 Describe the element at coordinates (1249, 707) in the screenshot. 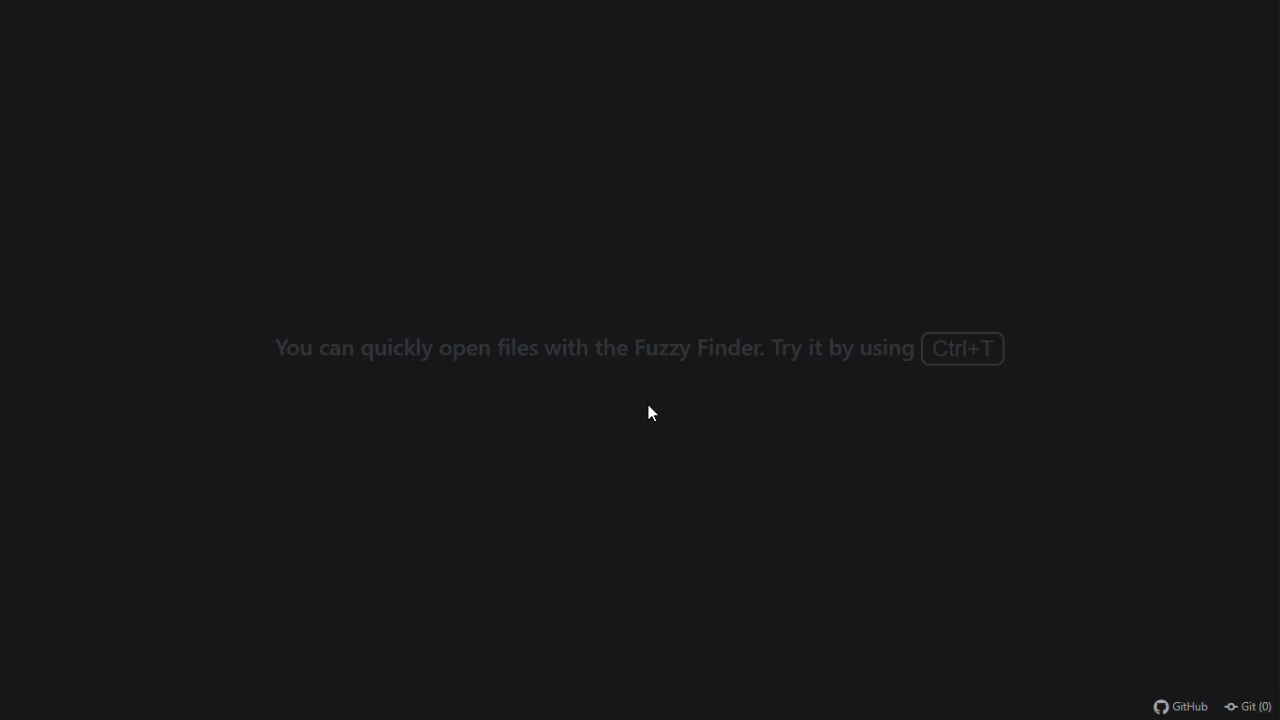

I see `git` at that location.